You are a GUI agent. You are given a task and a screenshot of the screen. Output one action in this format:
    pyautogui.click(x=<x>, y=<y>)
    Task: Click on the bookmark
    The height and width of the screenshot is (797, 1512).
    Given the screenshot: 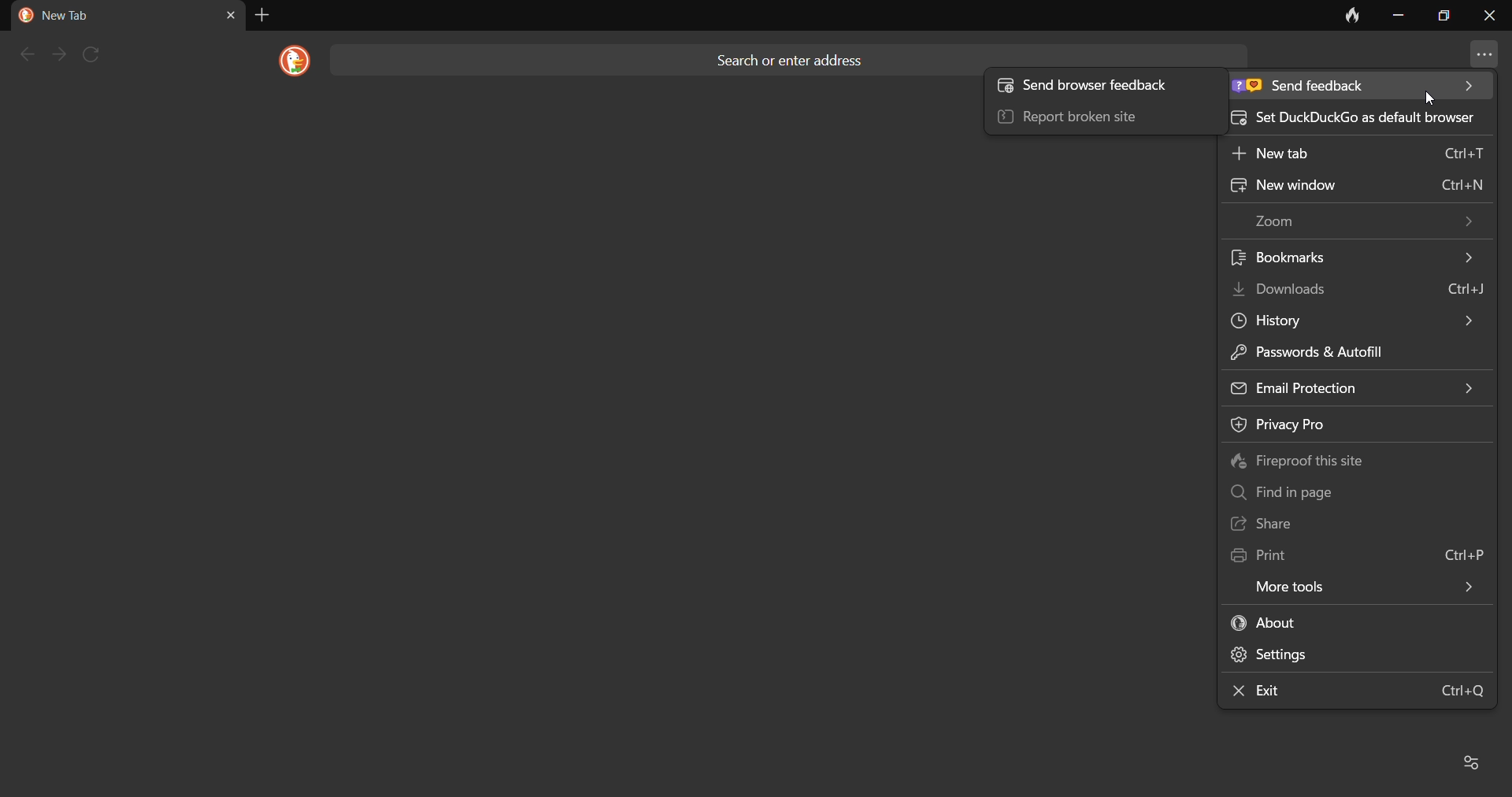 What is the action you would take?
    pyautogui.click(x=1354, y=258)
    